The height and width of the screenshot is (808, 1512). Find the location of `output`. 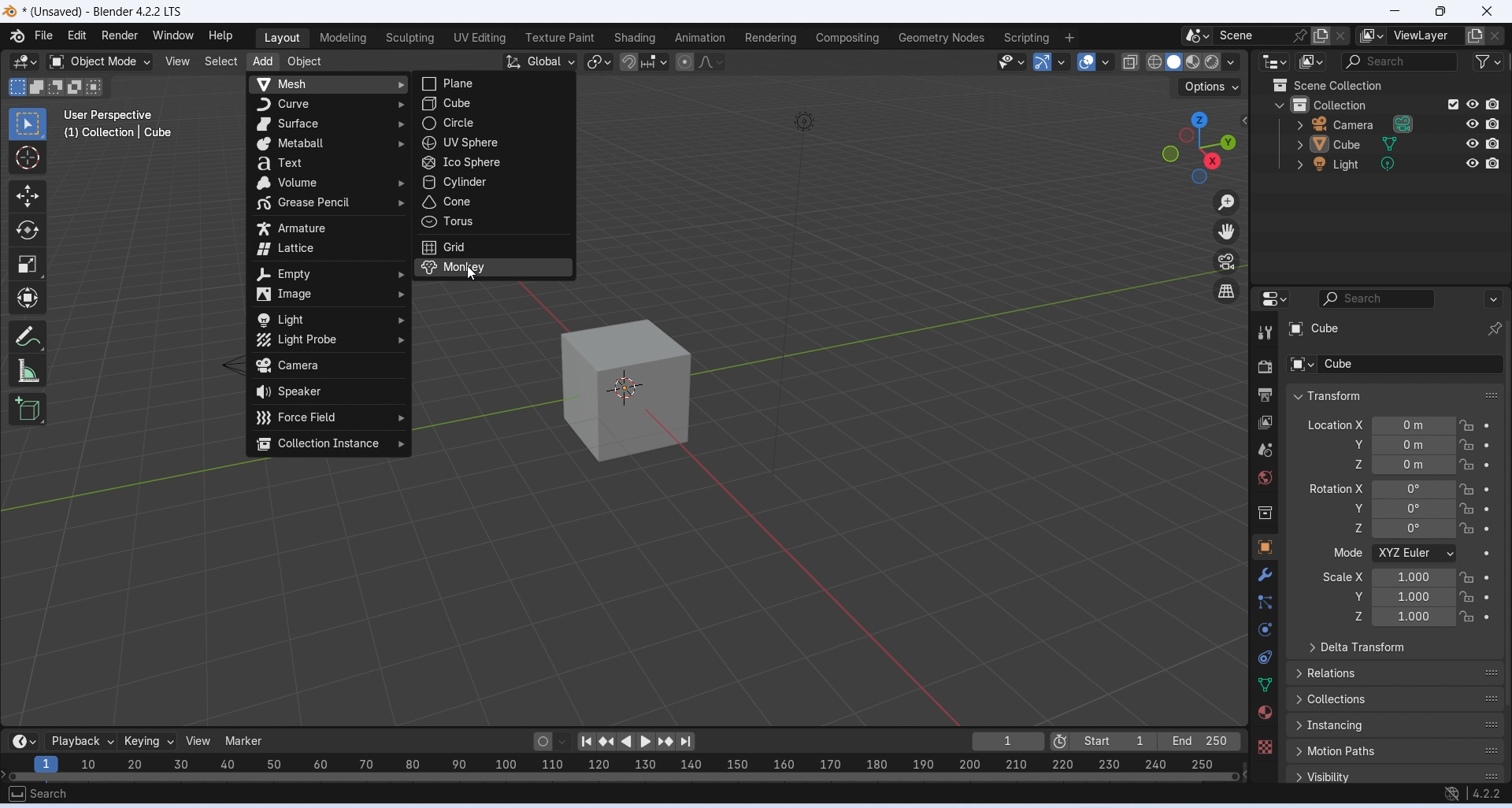

output is located at coordinates (1265, 395).